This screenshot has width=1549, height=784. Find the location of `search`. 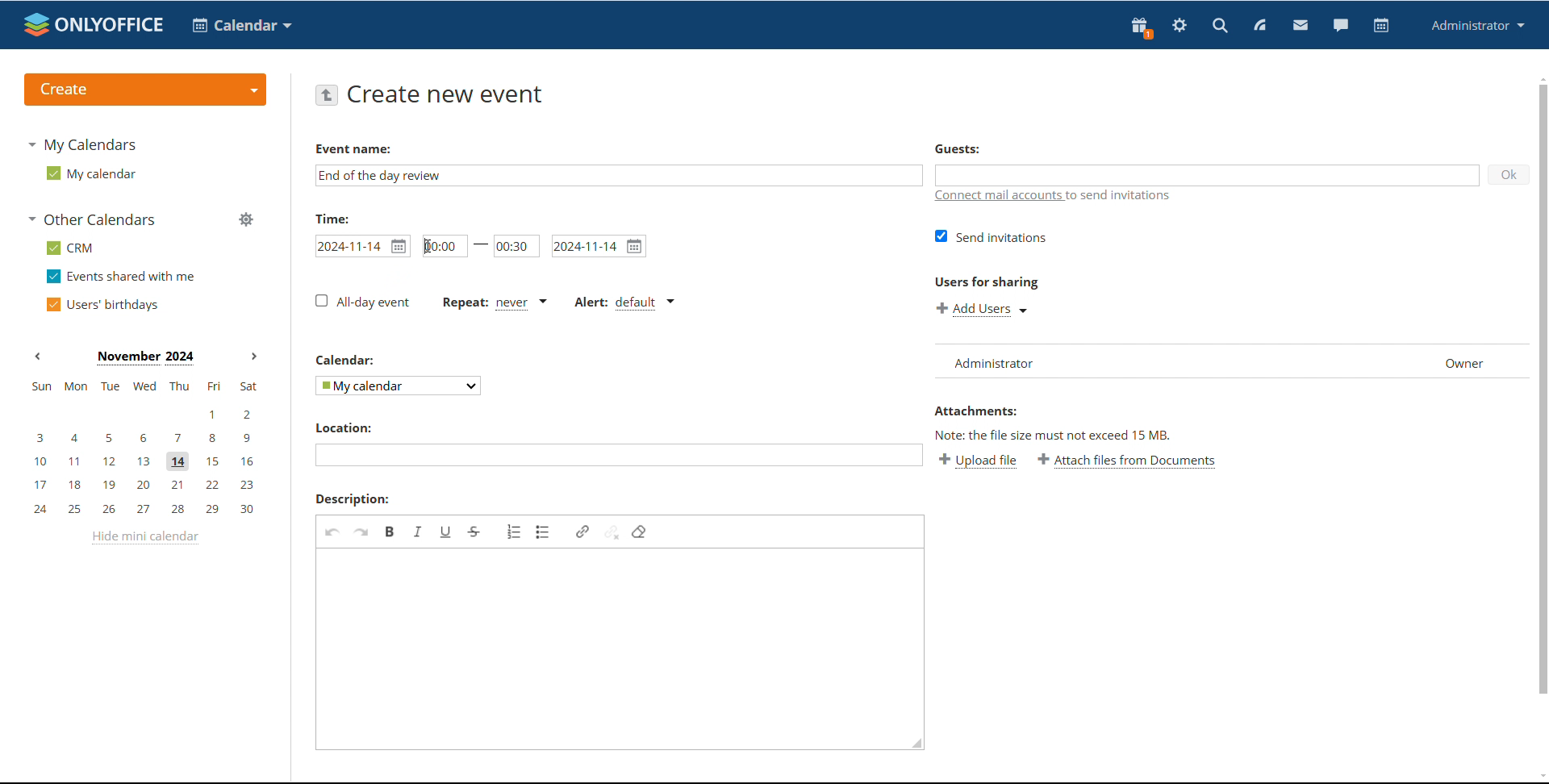

search is located at coordinates (1219, 27).